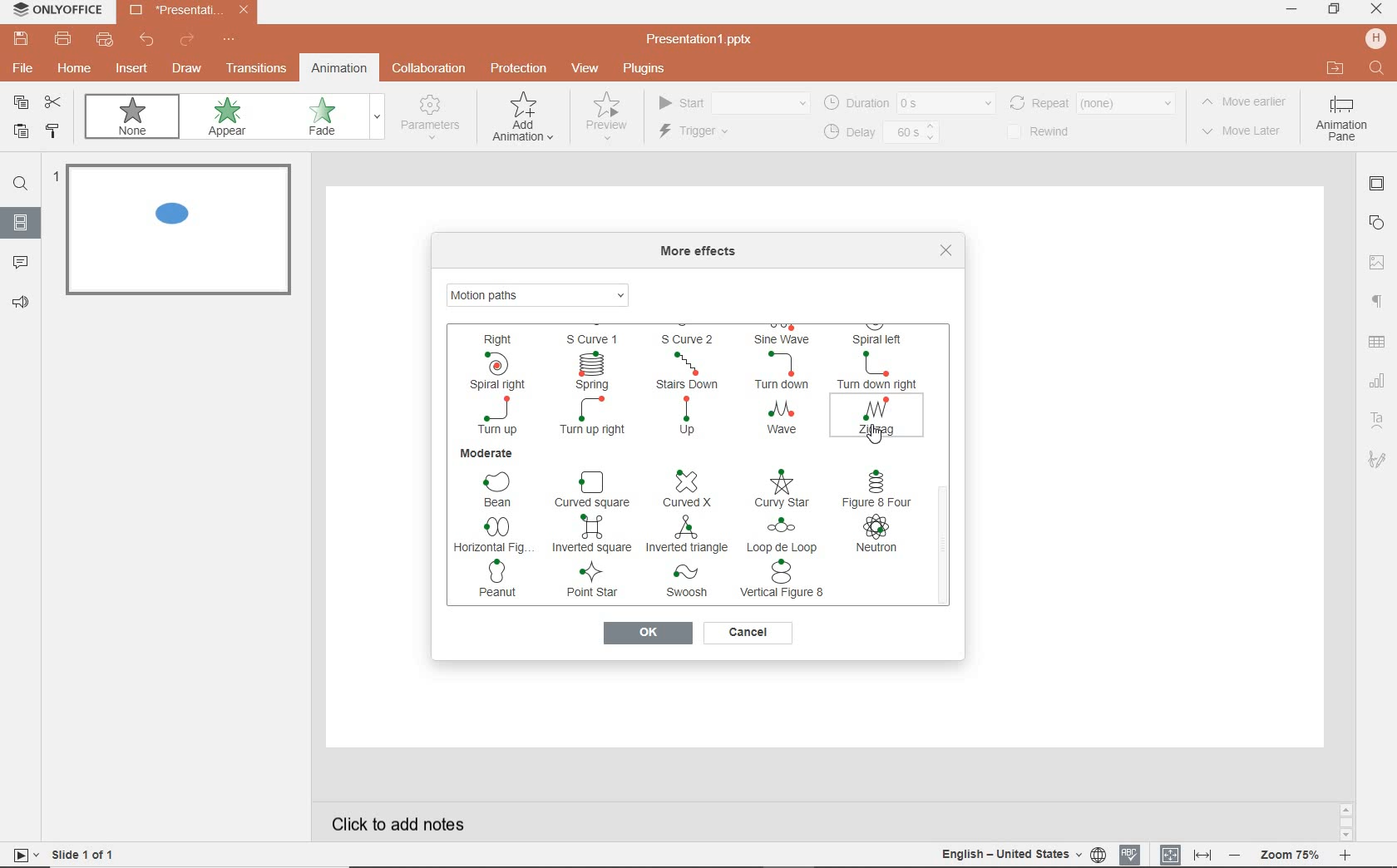 This screenshot has height=868, width=1397. Describe the element at coordinates (53, 131) in the screenshot. I see `COPY STYLE` at that location.